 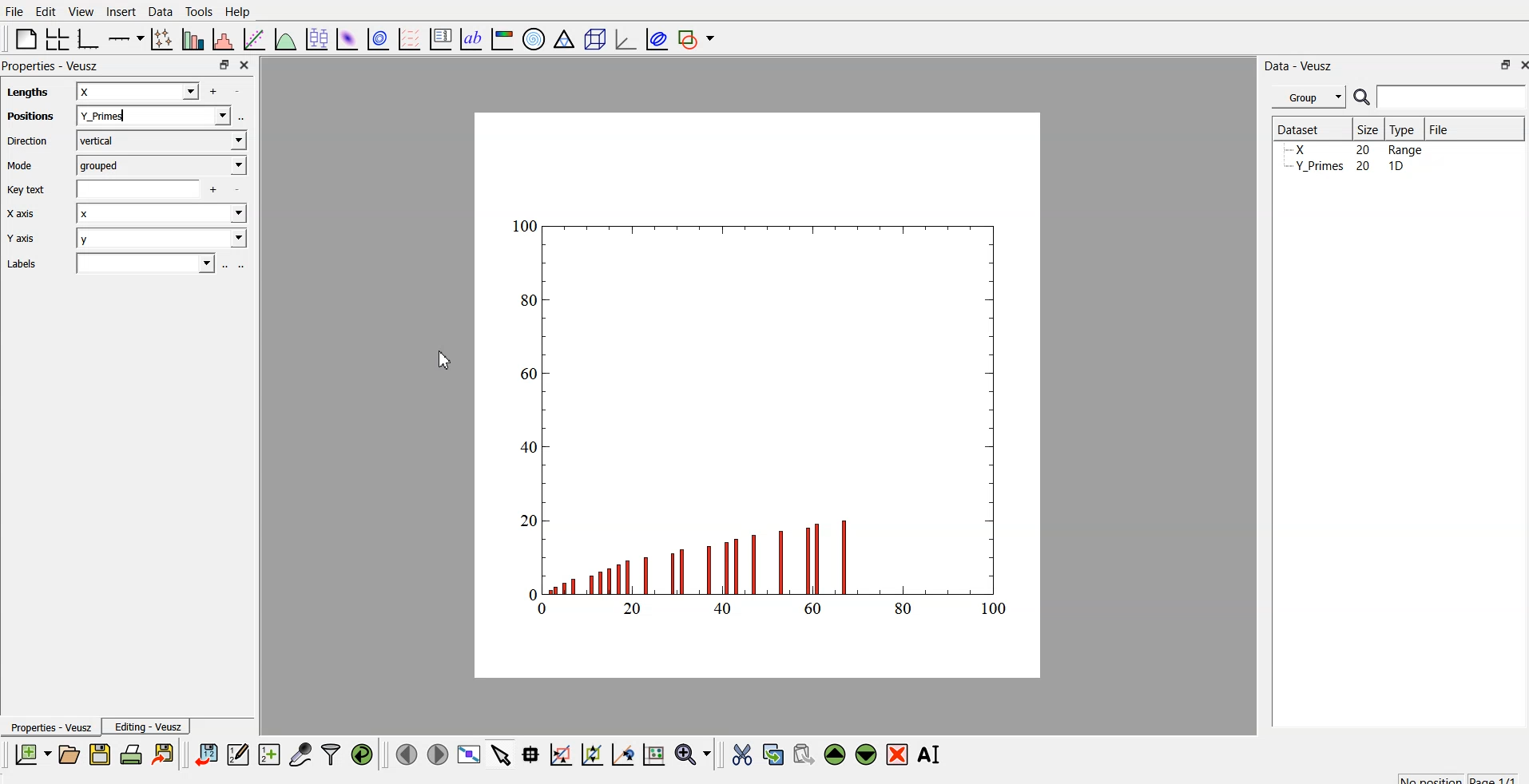 I want to click on paste the widget from the clipboard, so click(x=804, y=754).